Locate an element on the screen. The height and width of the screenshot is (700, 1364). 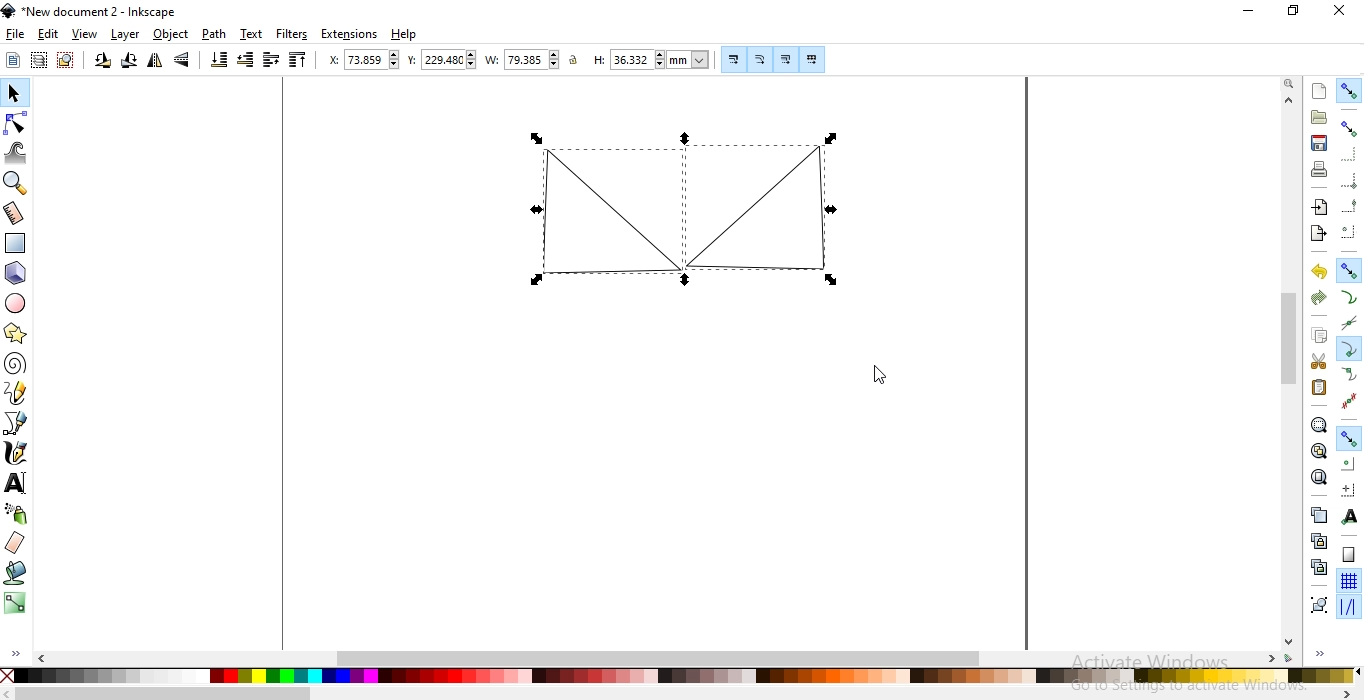
scrollbar is located at coordinates (682, 692).